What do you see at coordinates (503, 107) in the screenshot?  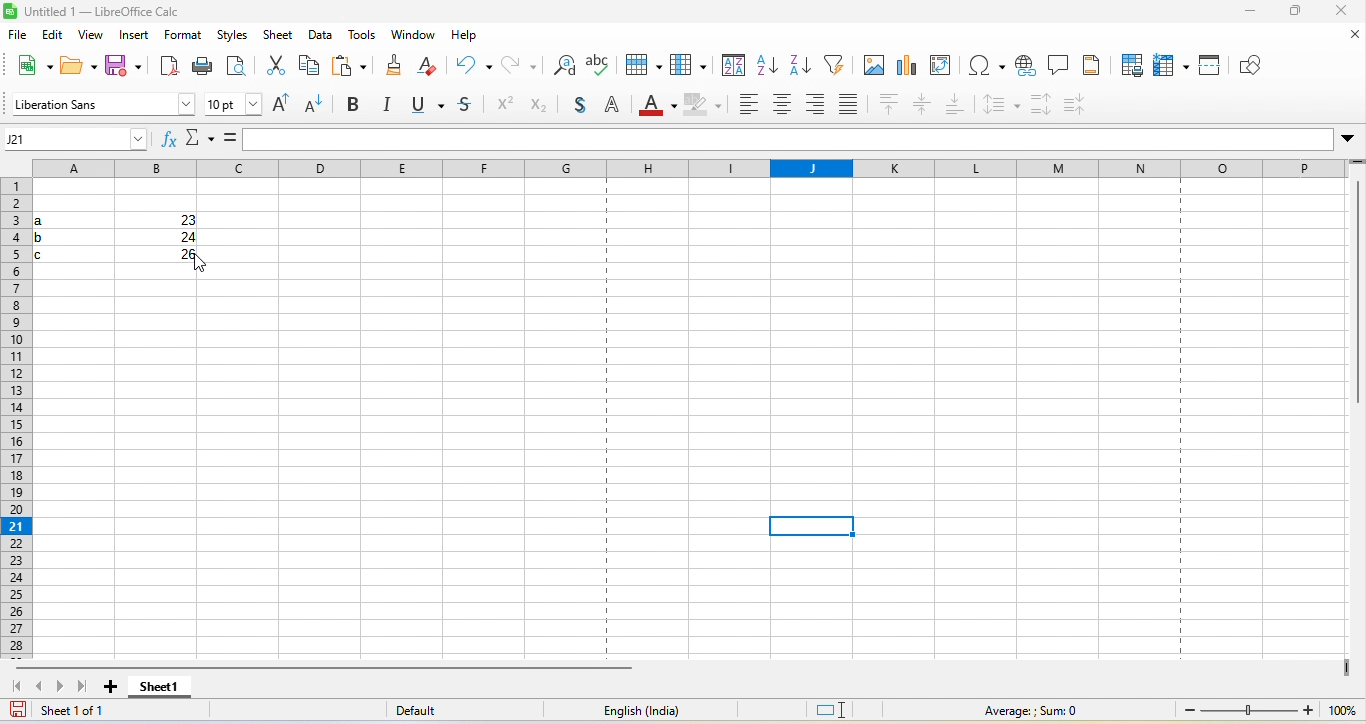 I see `superscript` at bounding box center [503, 107].